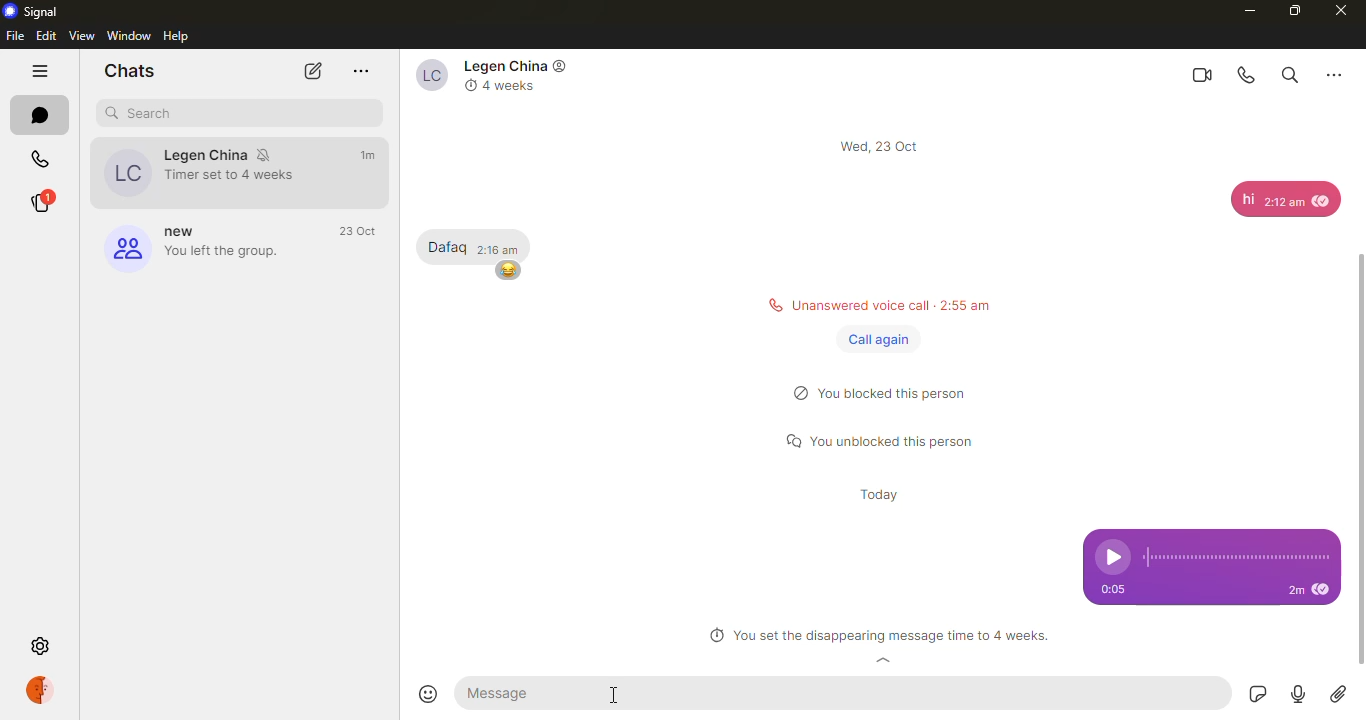 The image size is (1366, 720). What do you see at coordinates (1323, 199) in the screenshot?
I see `seen` at bounding box center [1323, 199].